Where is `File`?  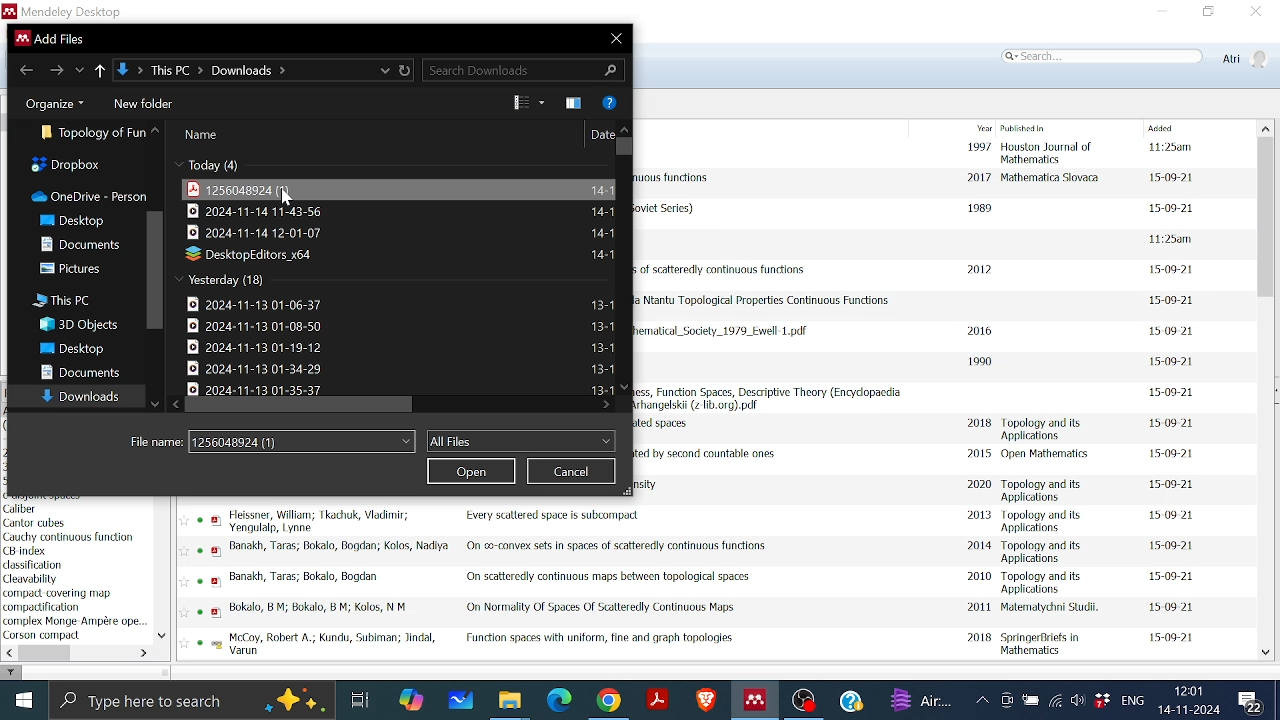 File is located at coordinates (601, 254).